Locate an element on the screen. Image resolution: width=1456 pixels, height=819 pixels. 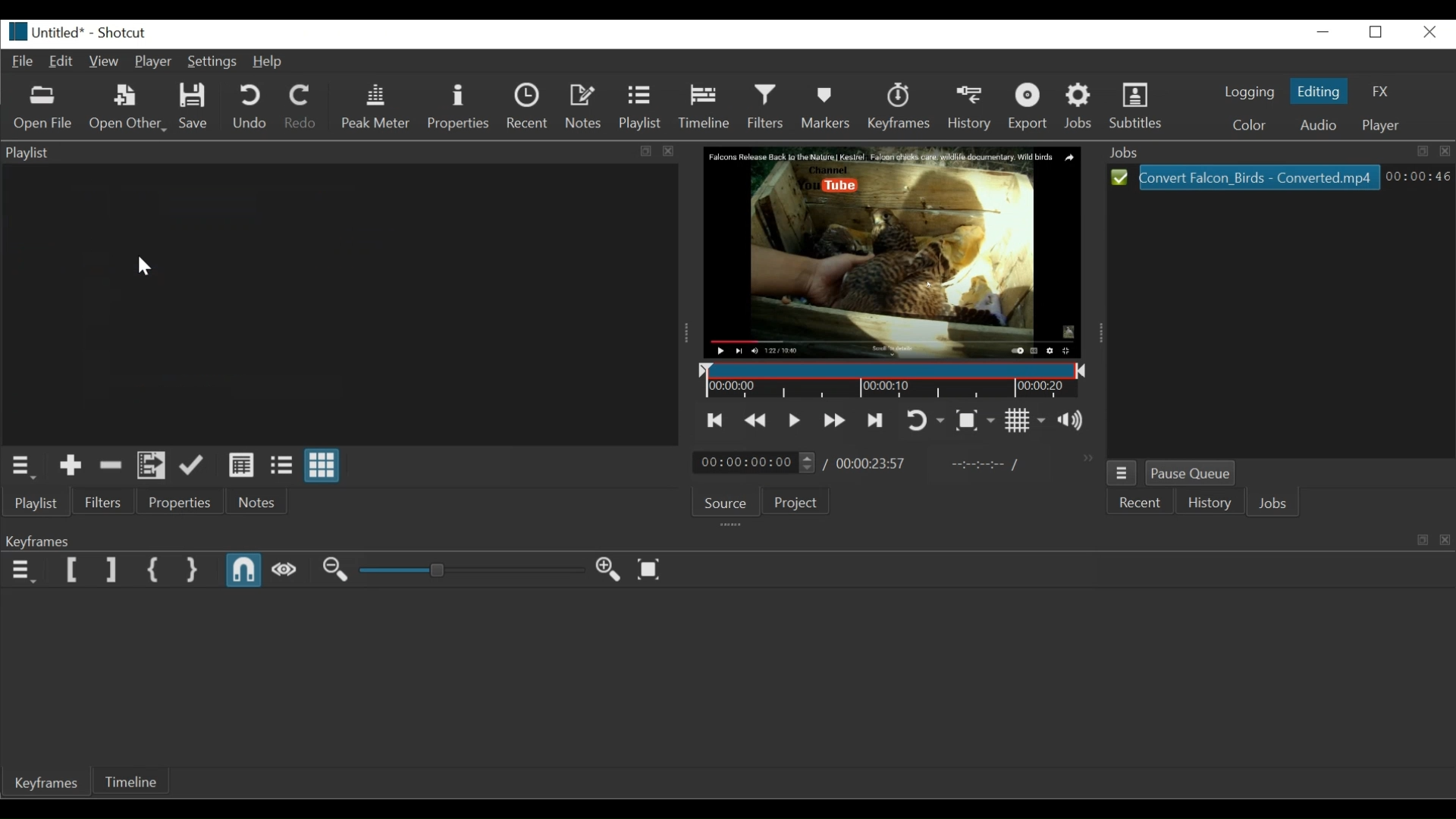
Recent is located at coordinates (1139, 503).